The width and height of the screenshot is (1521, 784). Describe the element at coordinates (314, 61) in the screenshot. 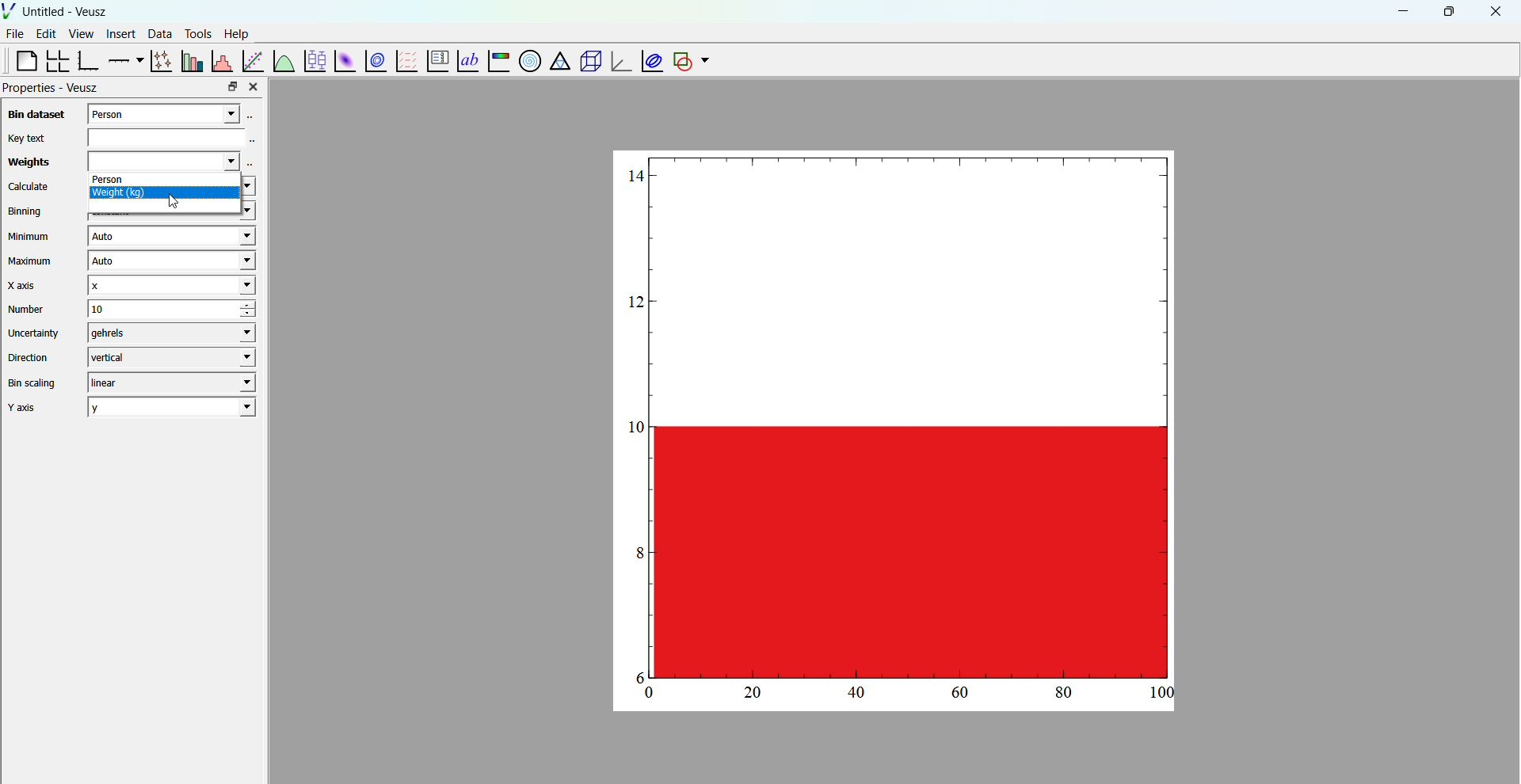

I see `plot box plots` at that location.